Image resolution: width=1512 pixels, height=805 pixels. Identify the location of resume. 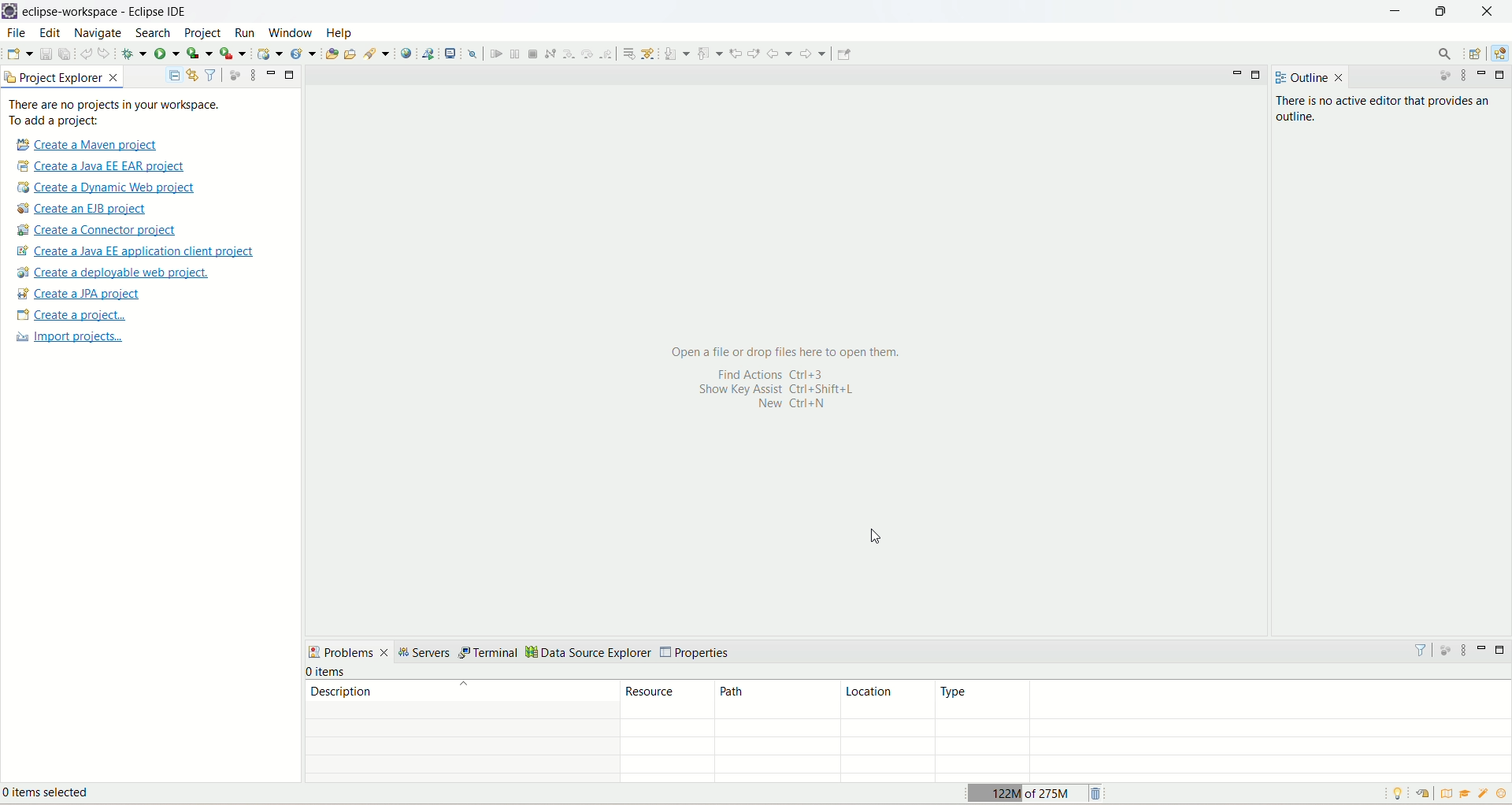
(495, 54).